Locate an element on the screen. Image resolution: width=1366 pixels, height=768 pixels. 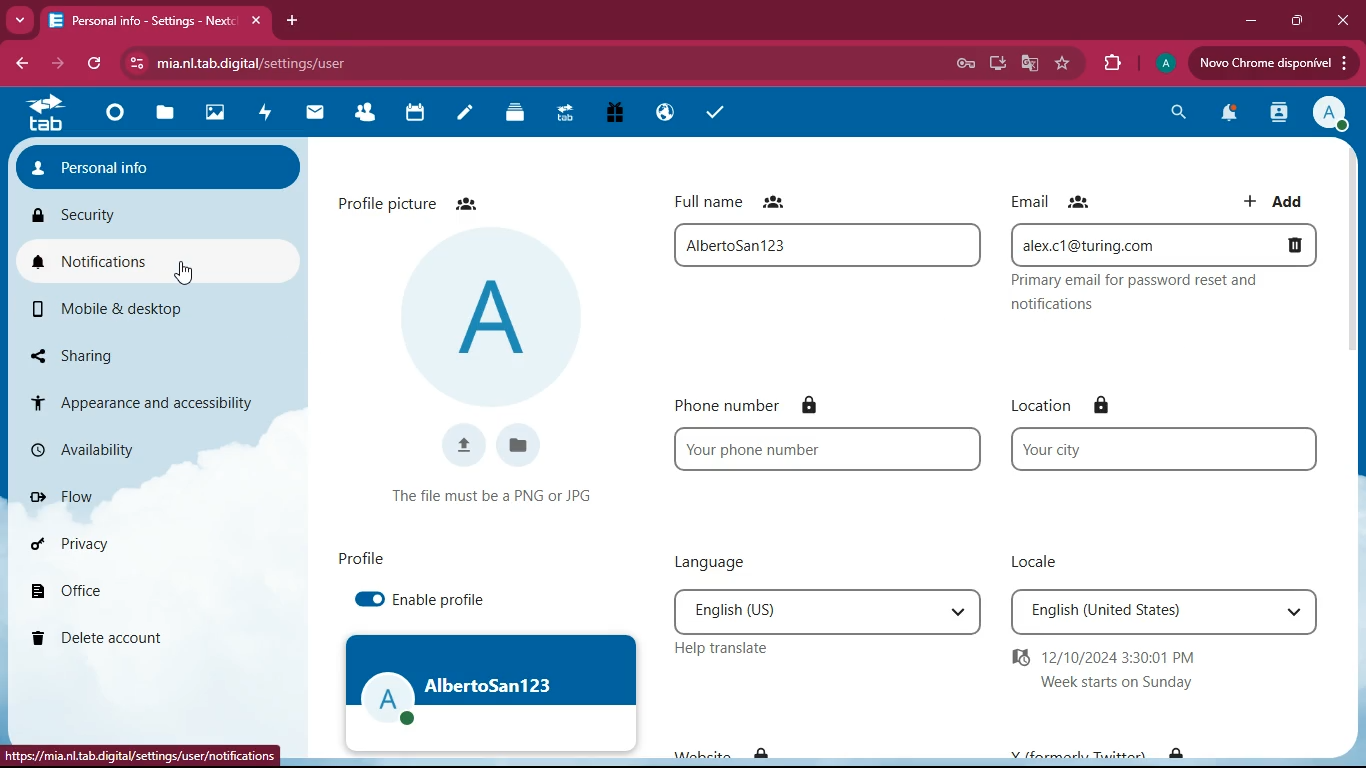
phone number is located at coordinates (827, 448).